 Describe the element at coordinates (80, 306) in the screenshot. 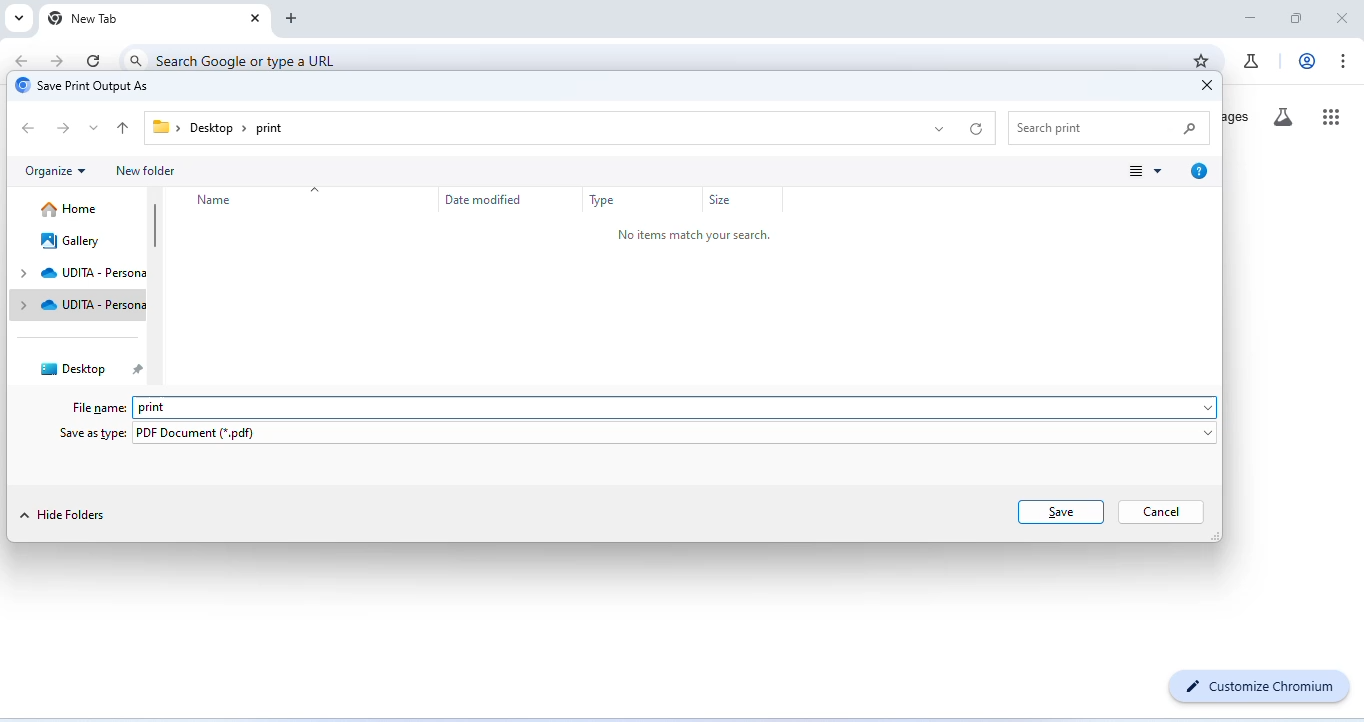

I see `udita personal` at that location.